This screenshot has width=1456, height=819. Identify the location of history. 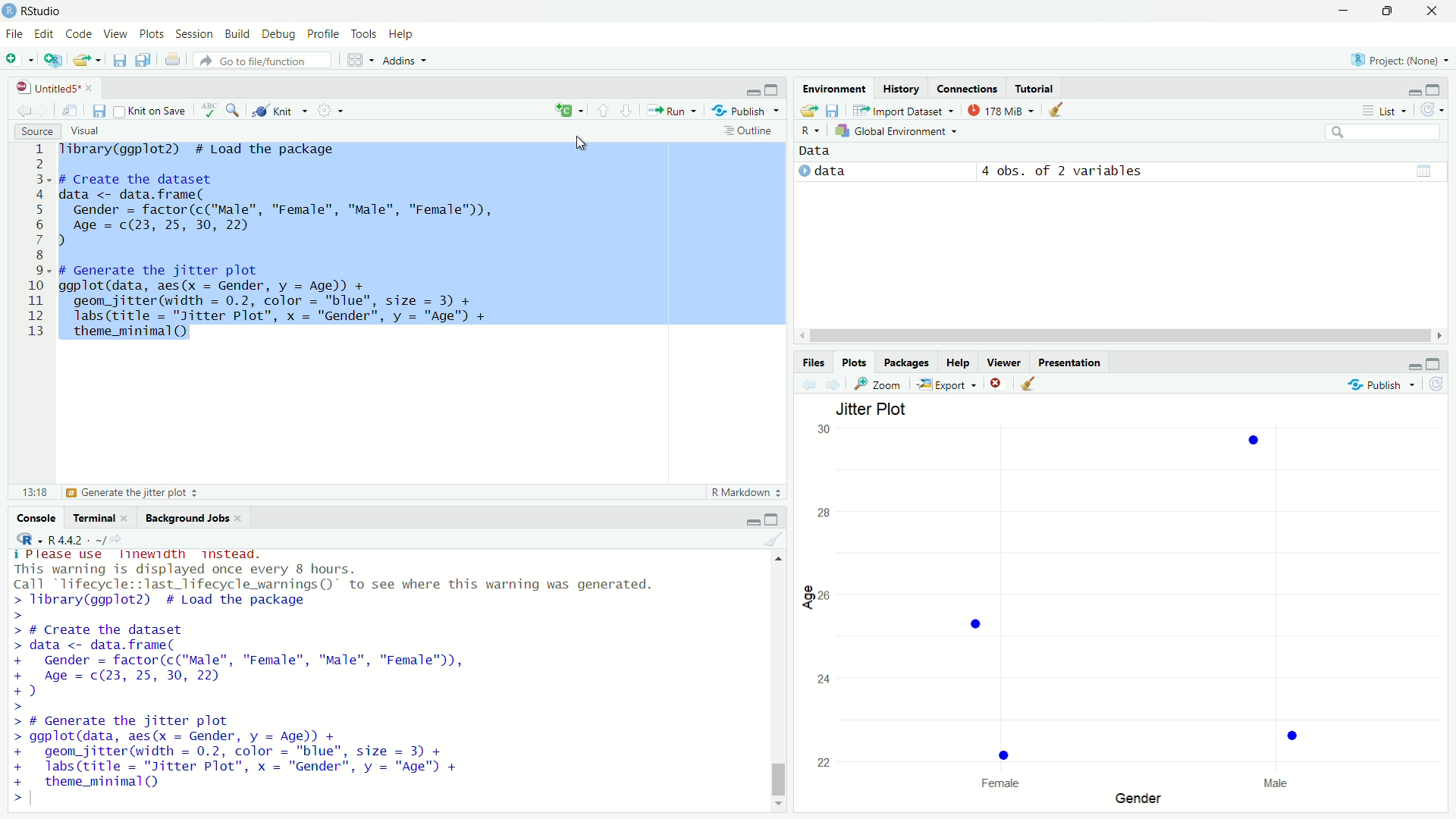
(900, 89).